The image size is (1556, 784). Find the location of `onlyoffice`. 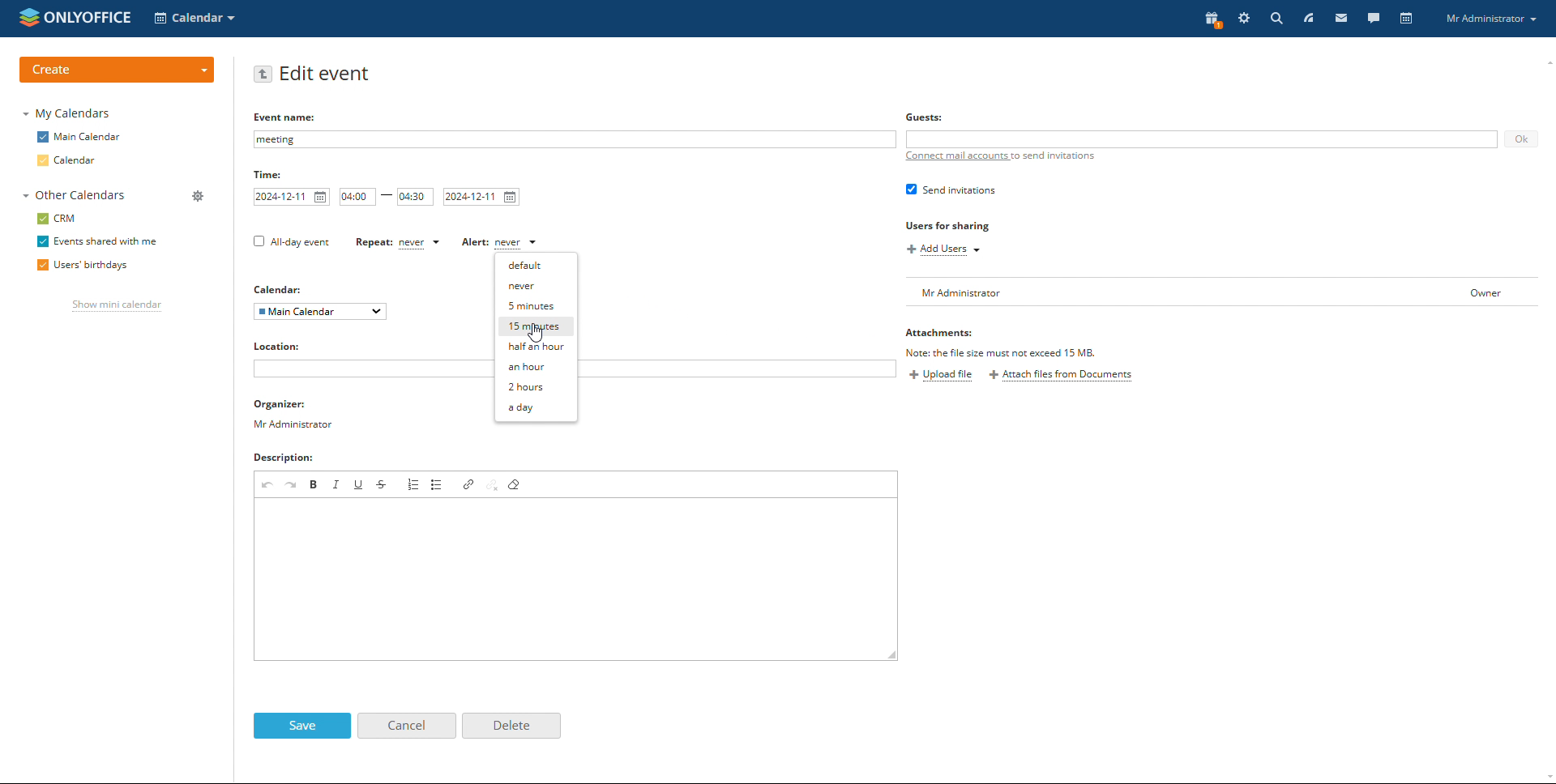

onlyoffice is located at coordinates (93, 17).